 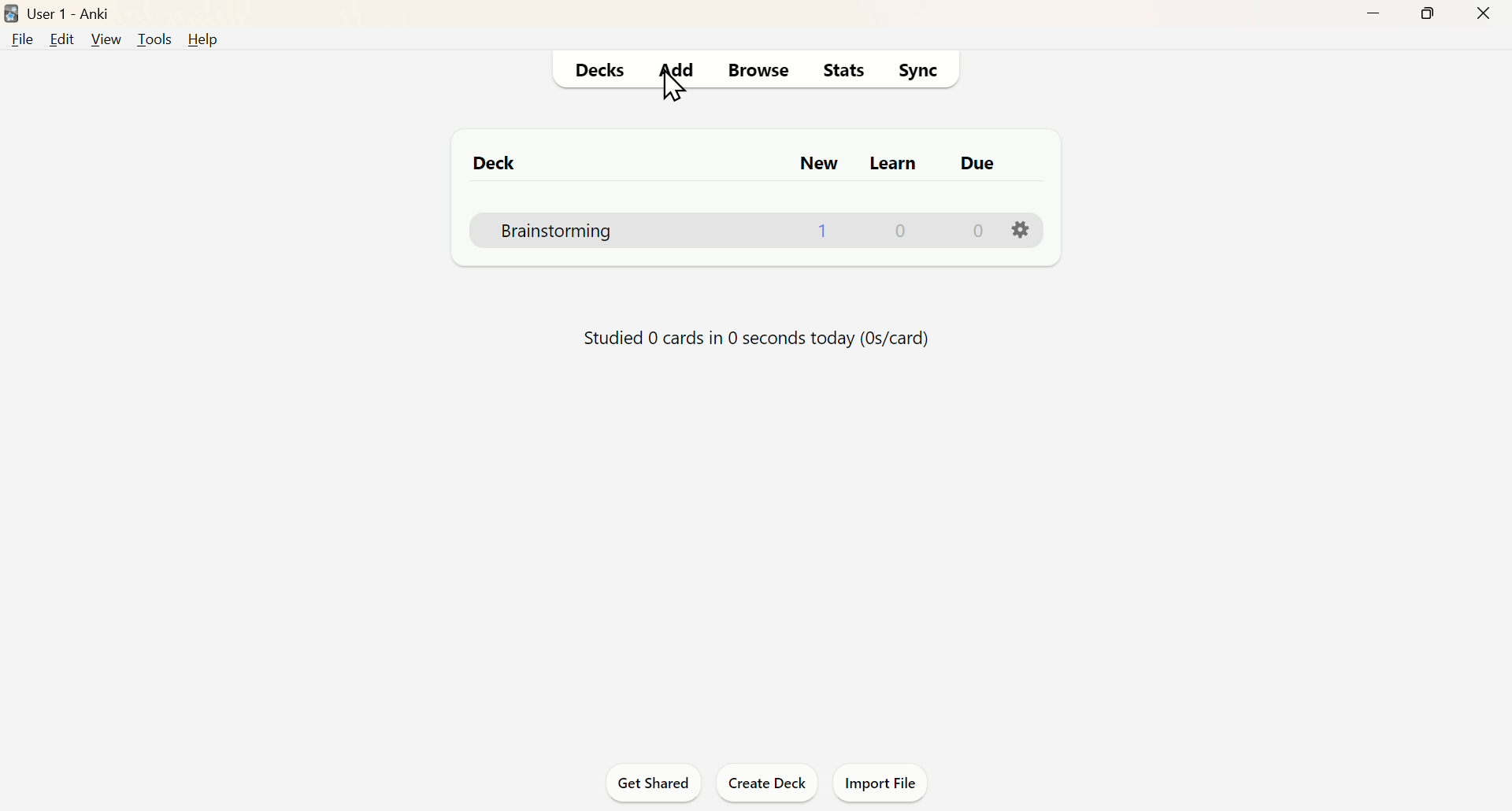 What do you see at coordinates (105, 36) in the screenshot?
I see `` at bounding box center [105, 36].